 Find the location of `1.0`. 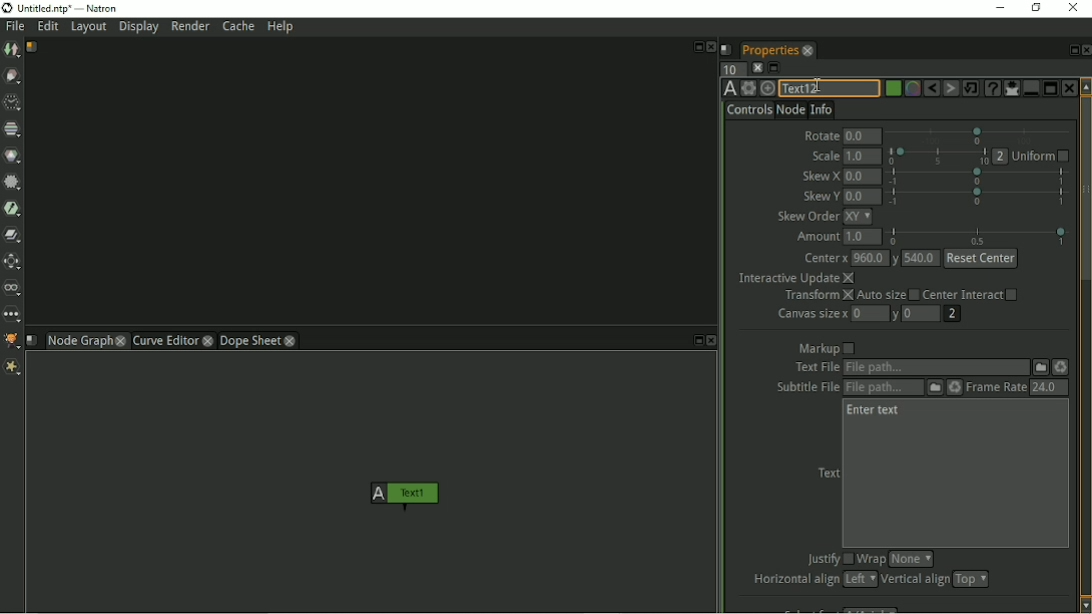

1.0 is located at coordinates (862, 156).